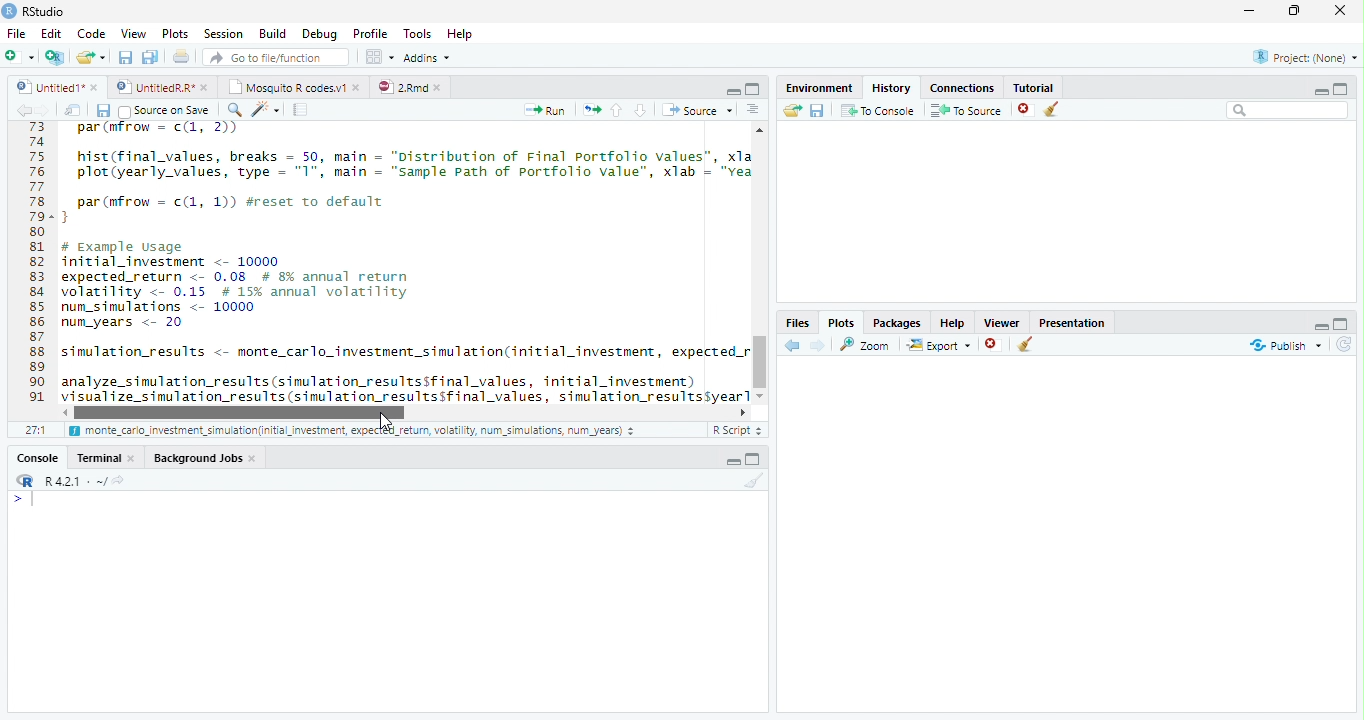 The height and width of the screenshot is (720, 1364). What do you see at coordinates (896, 321) in the screenshot?
I see `Packages` at bounding box center [896, 321].